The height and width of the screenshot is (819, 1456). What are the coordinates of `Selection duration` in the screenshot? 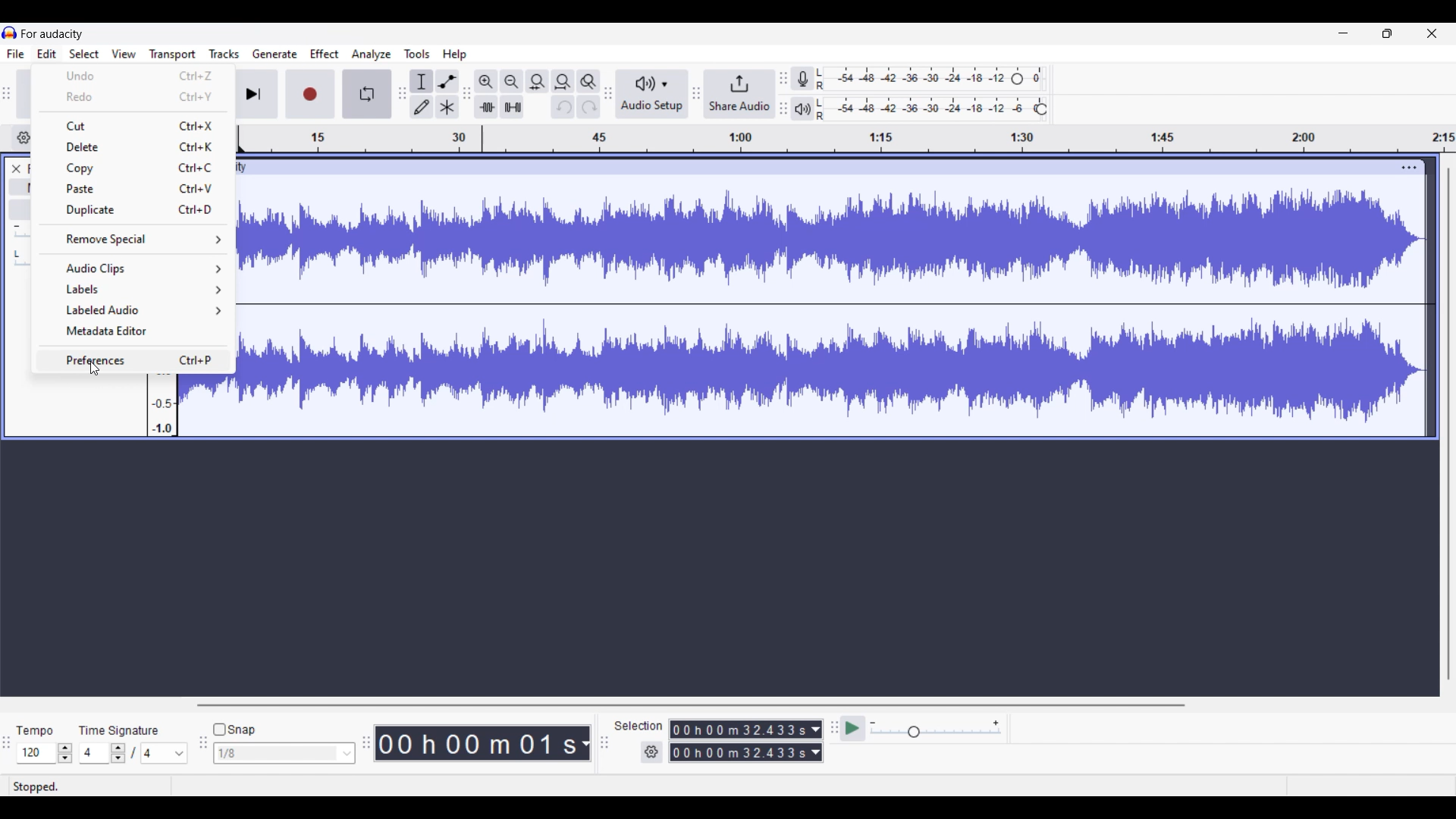 It's located at (739, 741).